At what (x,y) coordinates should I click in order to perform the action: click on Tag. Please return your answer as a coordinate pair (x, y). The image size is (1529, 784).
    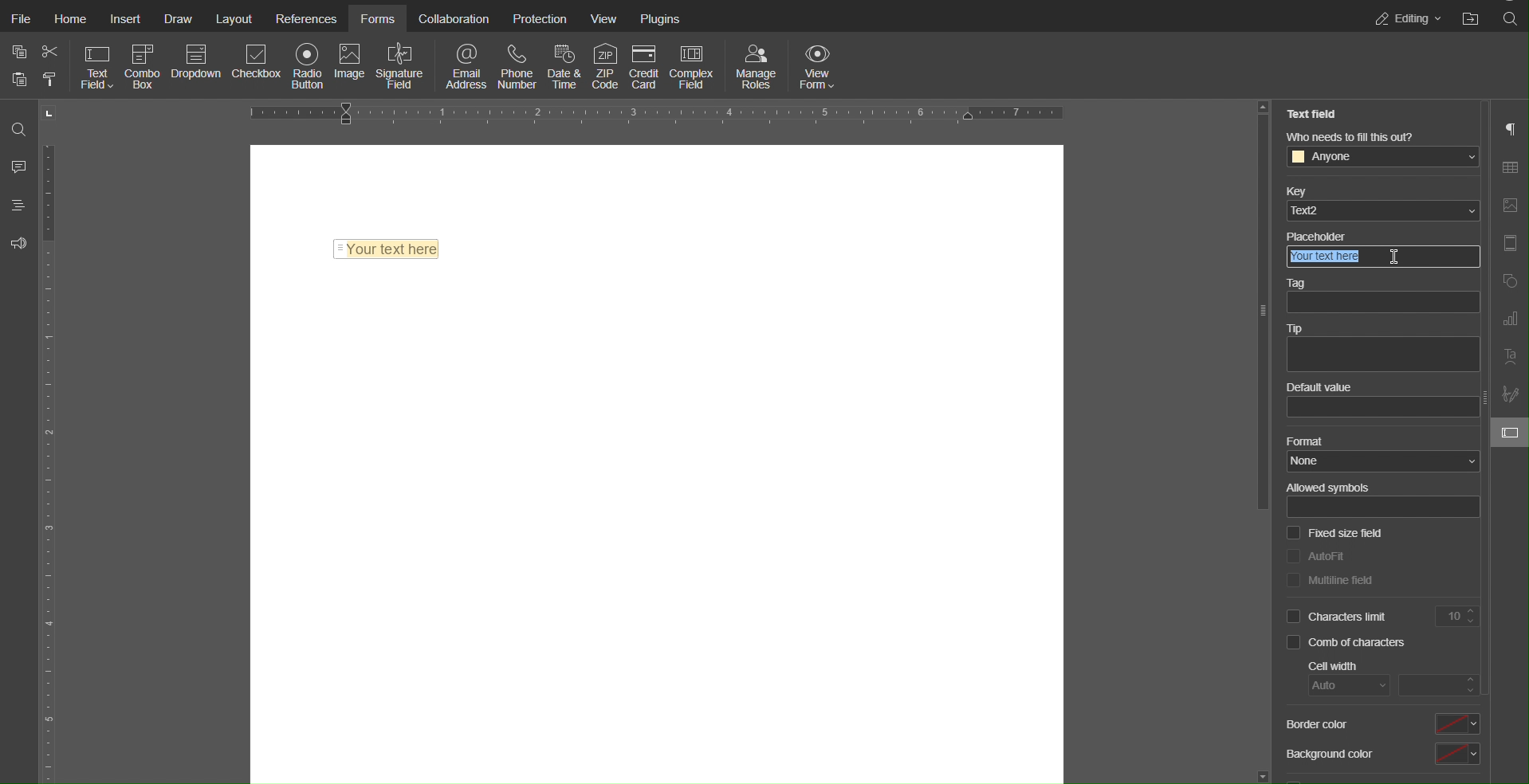
    Looking at the image, I should click on (1379, 297).